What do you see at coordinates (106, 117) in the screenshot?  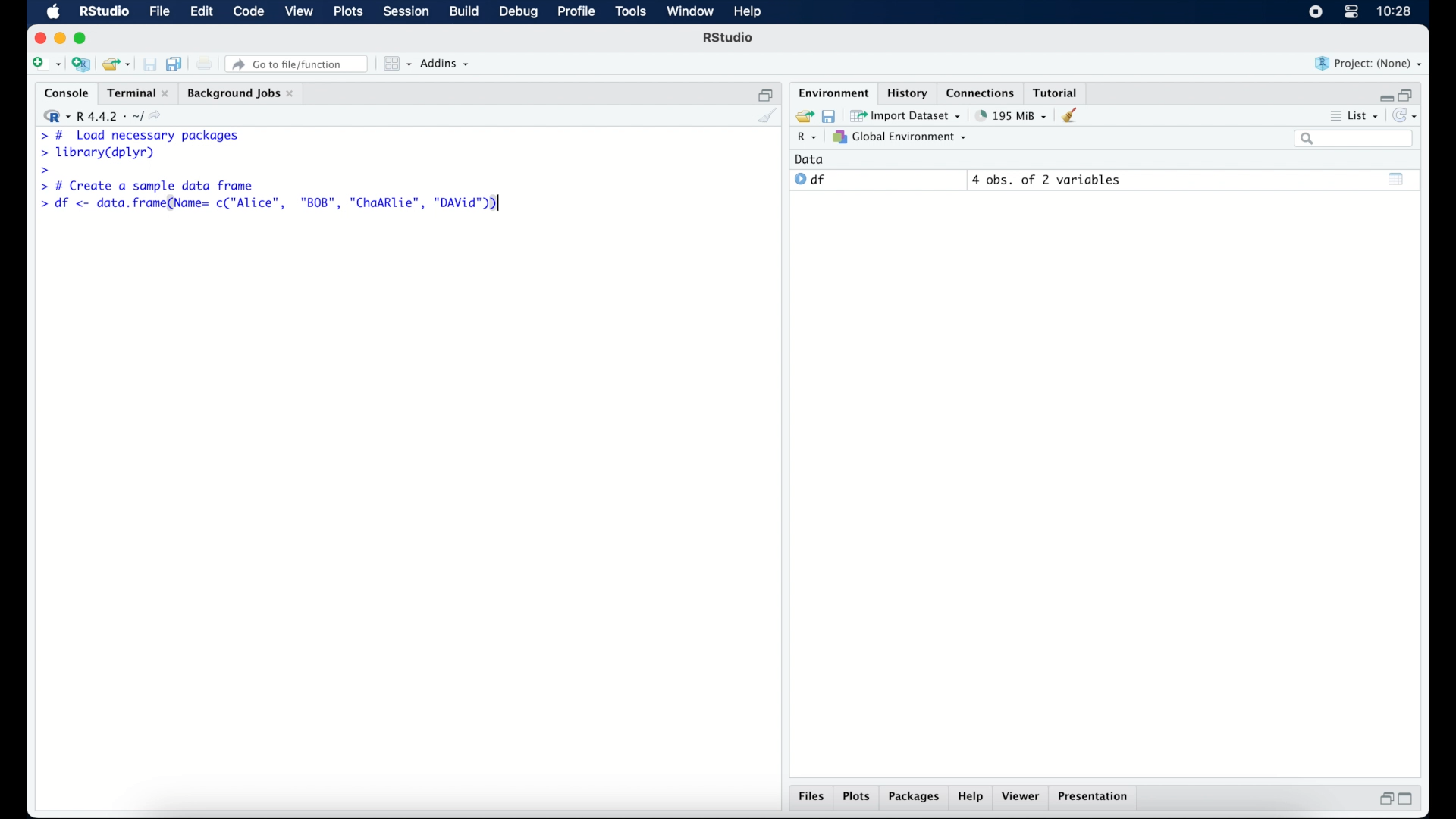 I see `R 4.4.2` at bounding box center [106, 117].